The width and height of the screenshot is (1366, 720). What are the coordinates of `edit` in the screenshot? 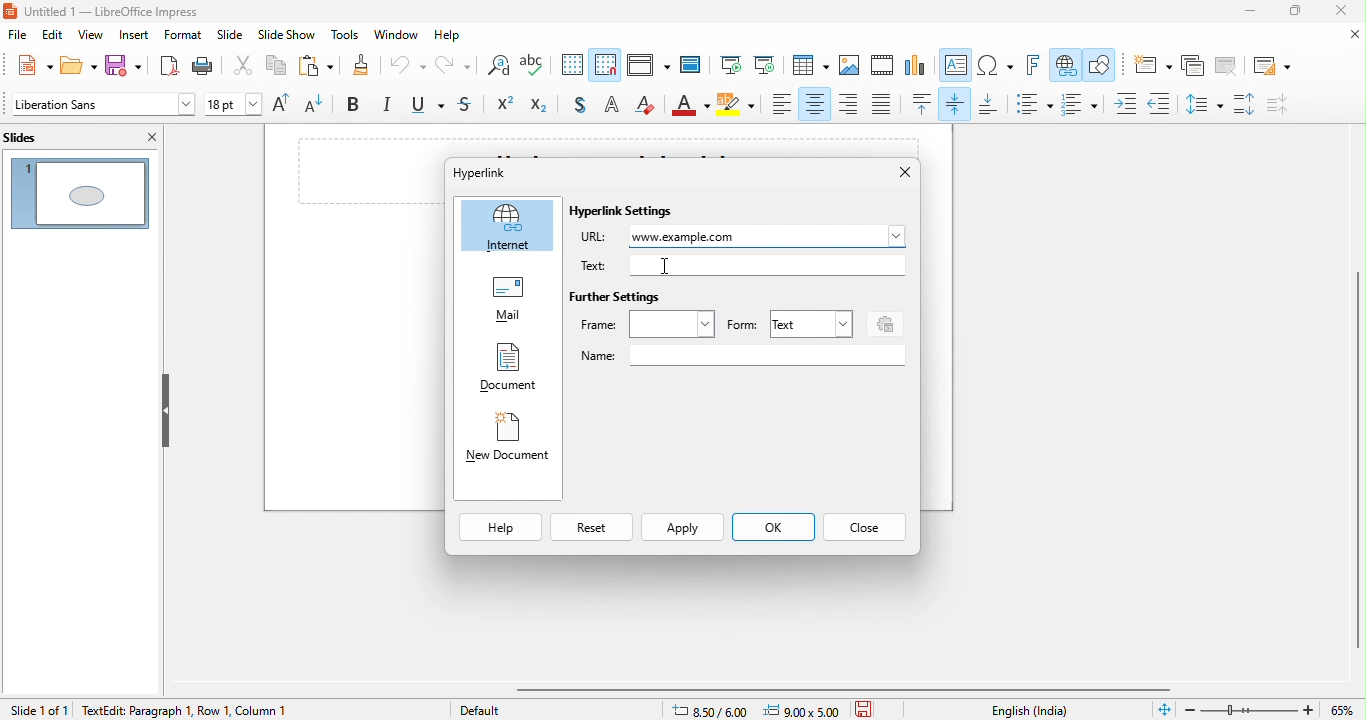 It's located at (54, 36).